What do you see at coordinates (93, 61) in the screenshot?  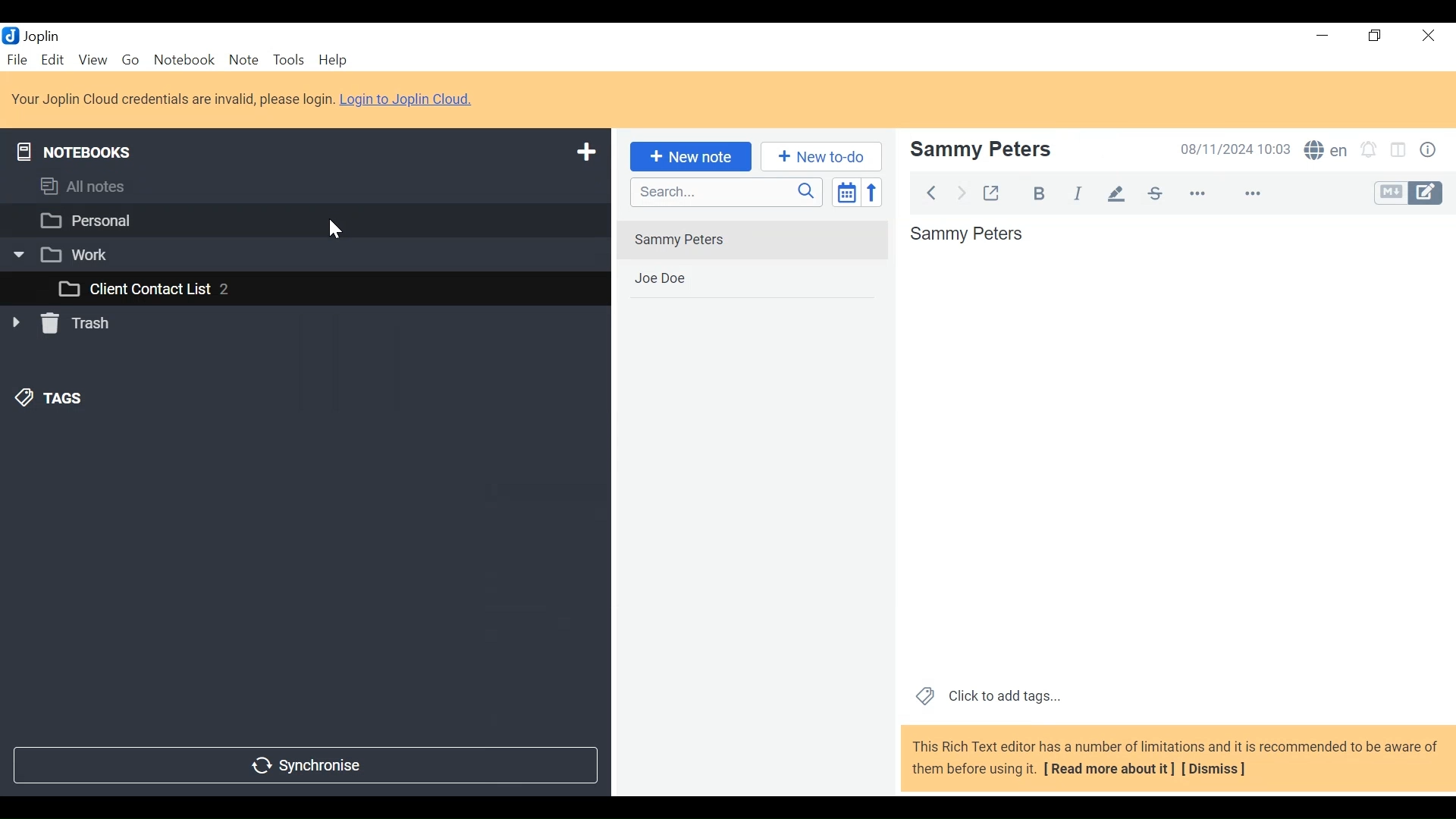 I see `View` at bounding box center [93, 61].